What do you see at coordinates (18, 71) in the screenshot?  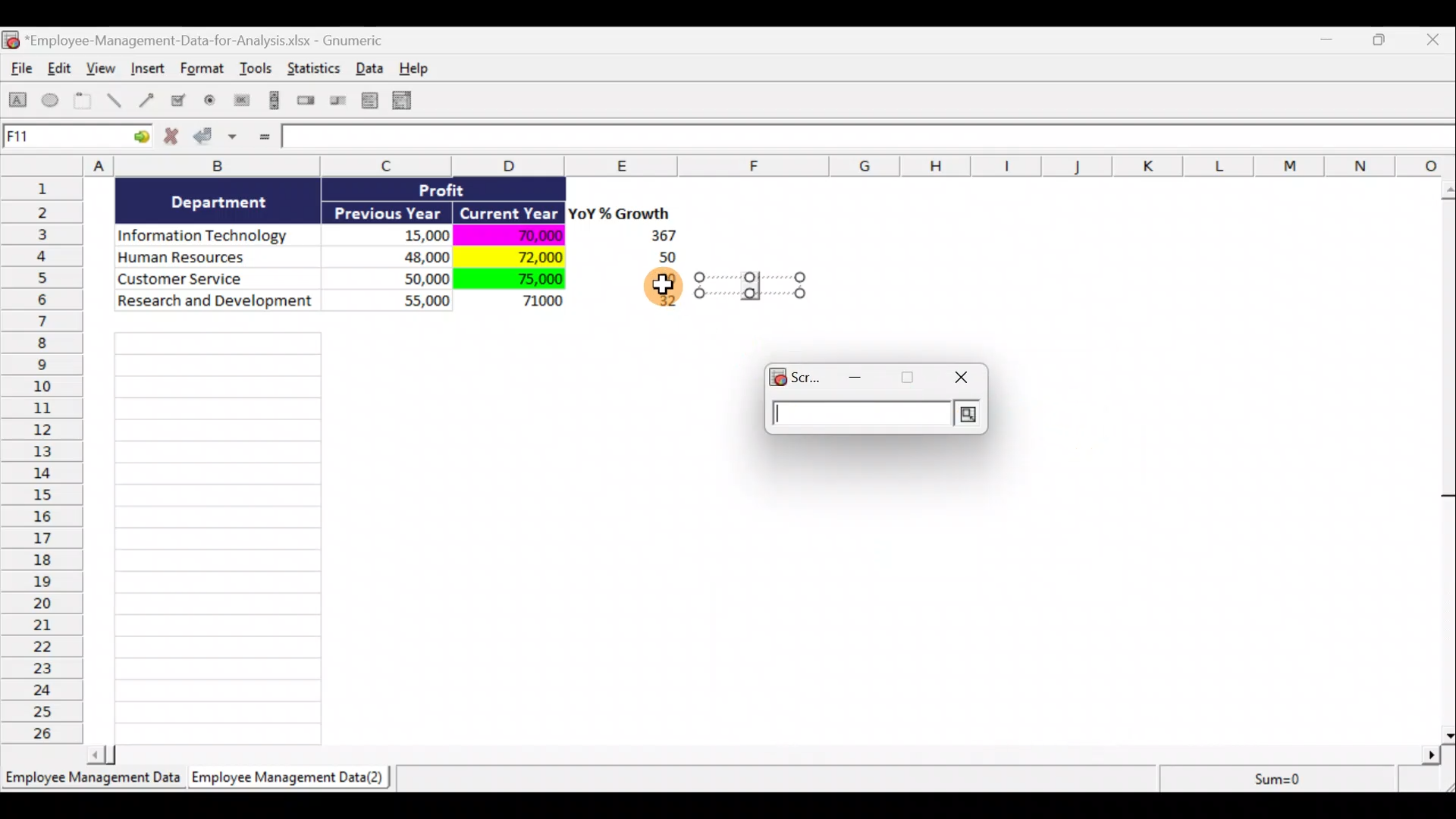 I see `File` at bounding box center [18, 71].